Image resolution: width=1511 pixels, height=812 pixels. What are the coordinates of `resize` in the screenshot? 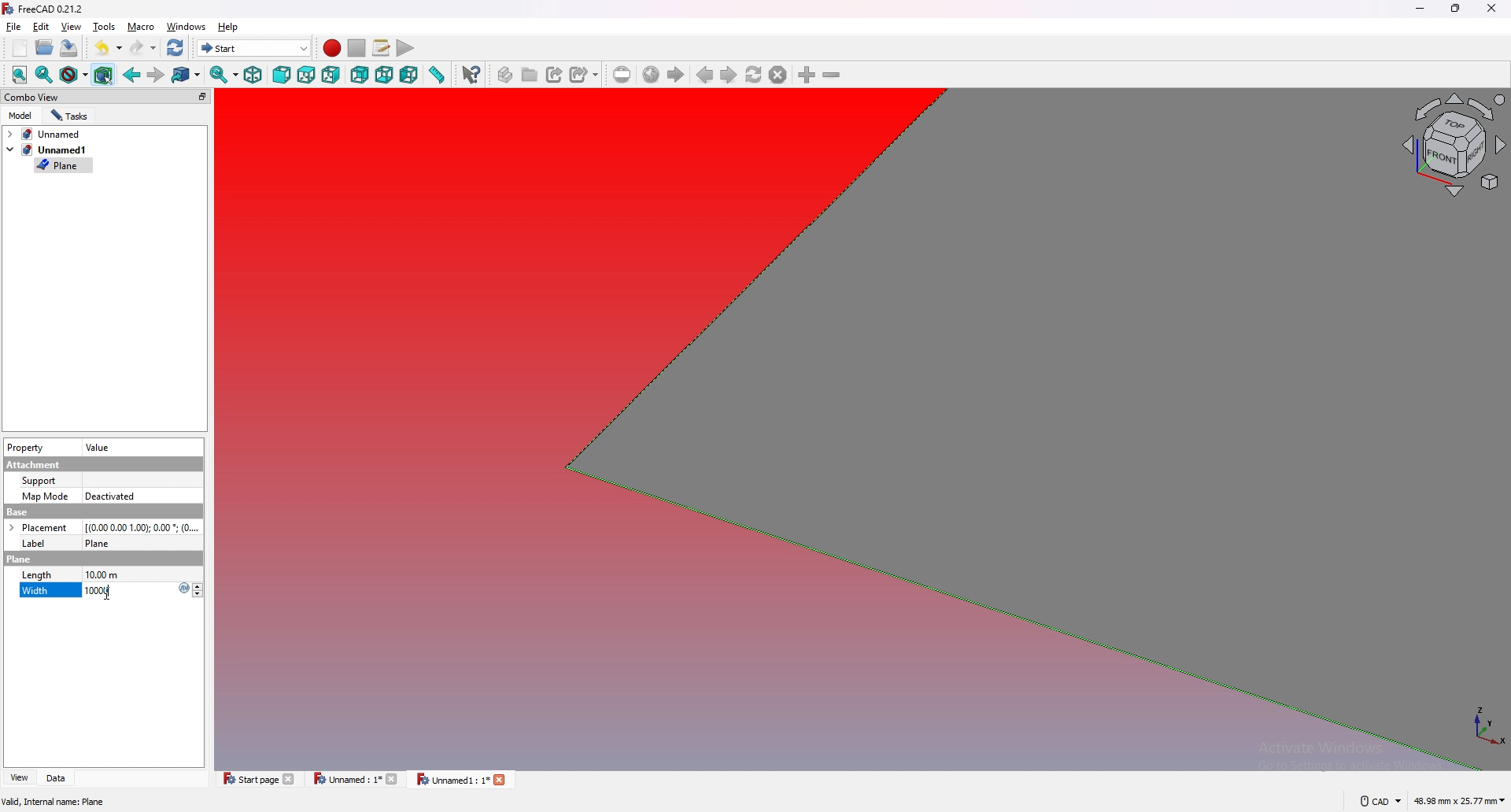 It's located at (1457, 9).